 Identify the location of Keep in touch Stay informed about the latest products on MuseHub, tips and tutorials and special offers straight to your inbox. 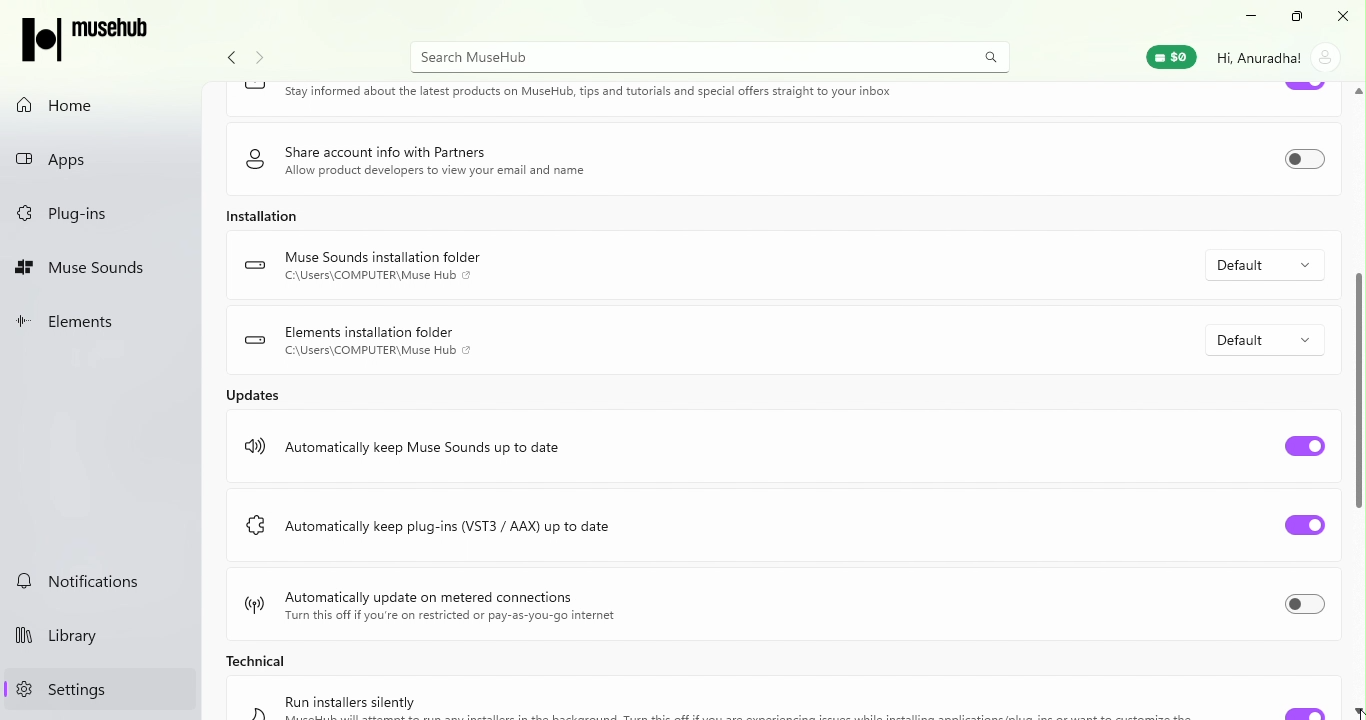
(592, 93).